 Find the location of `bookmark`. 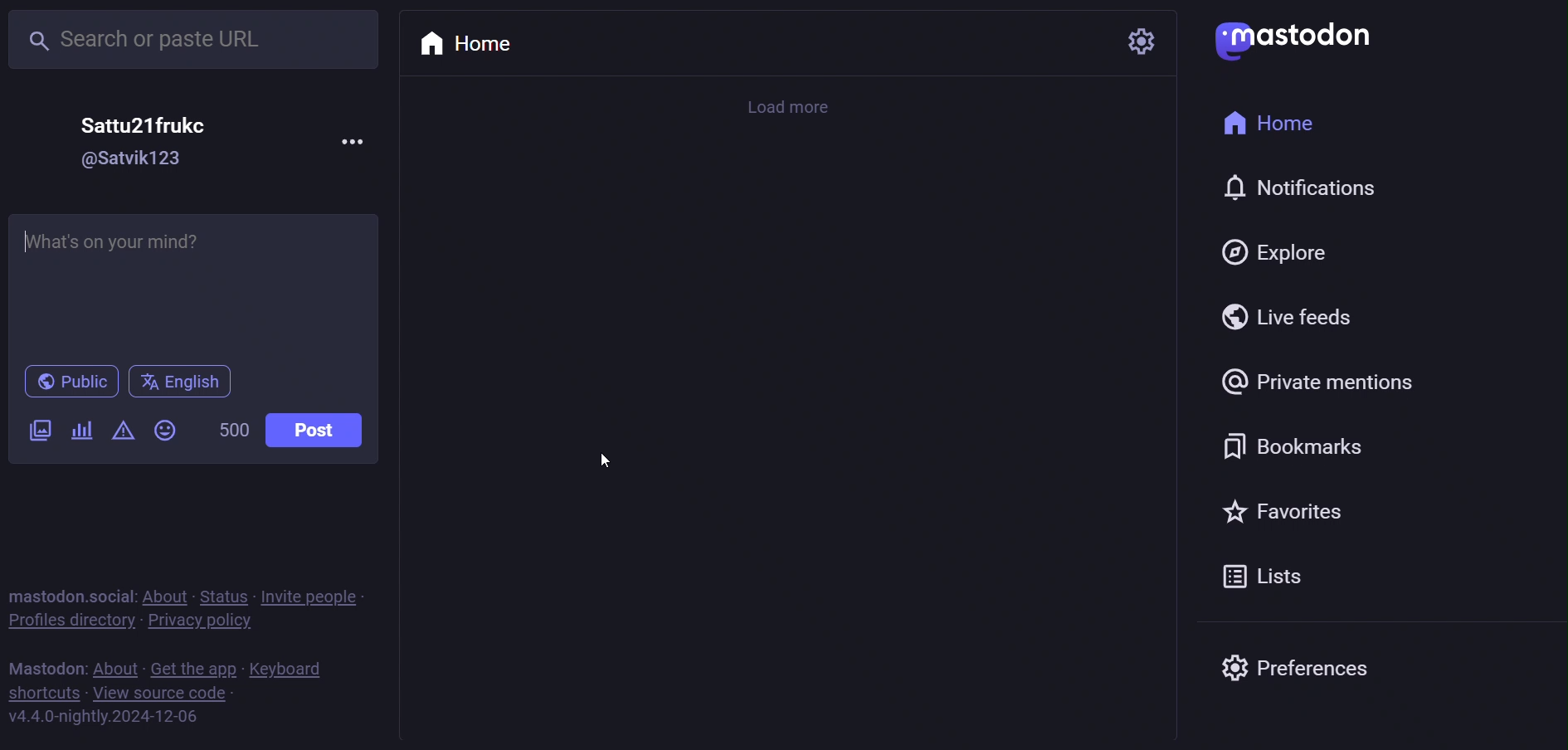

bookmark is located at coordinates (1288, 444).